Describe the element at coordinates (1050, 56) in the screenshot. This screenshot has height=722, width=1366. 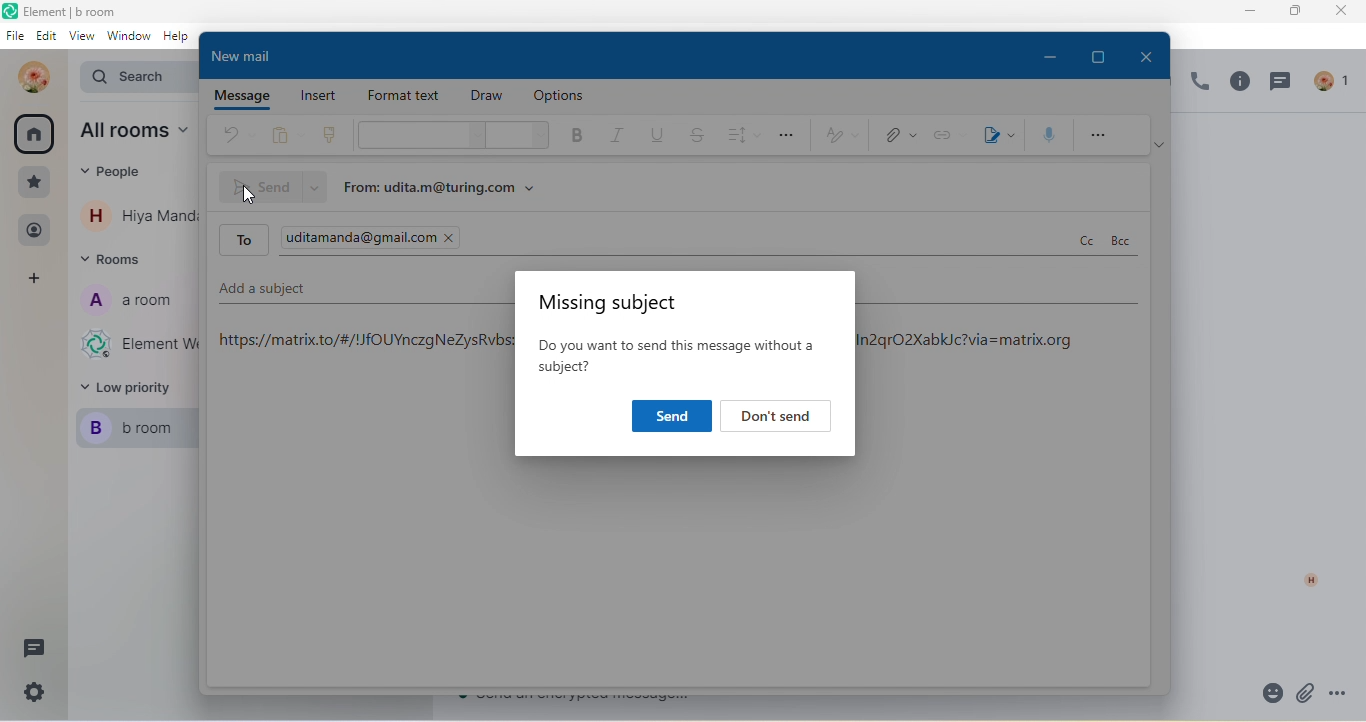
I see `minimize` at that location.